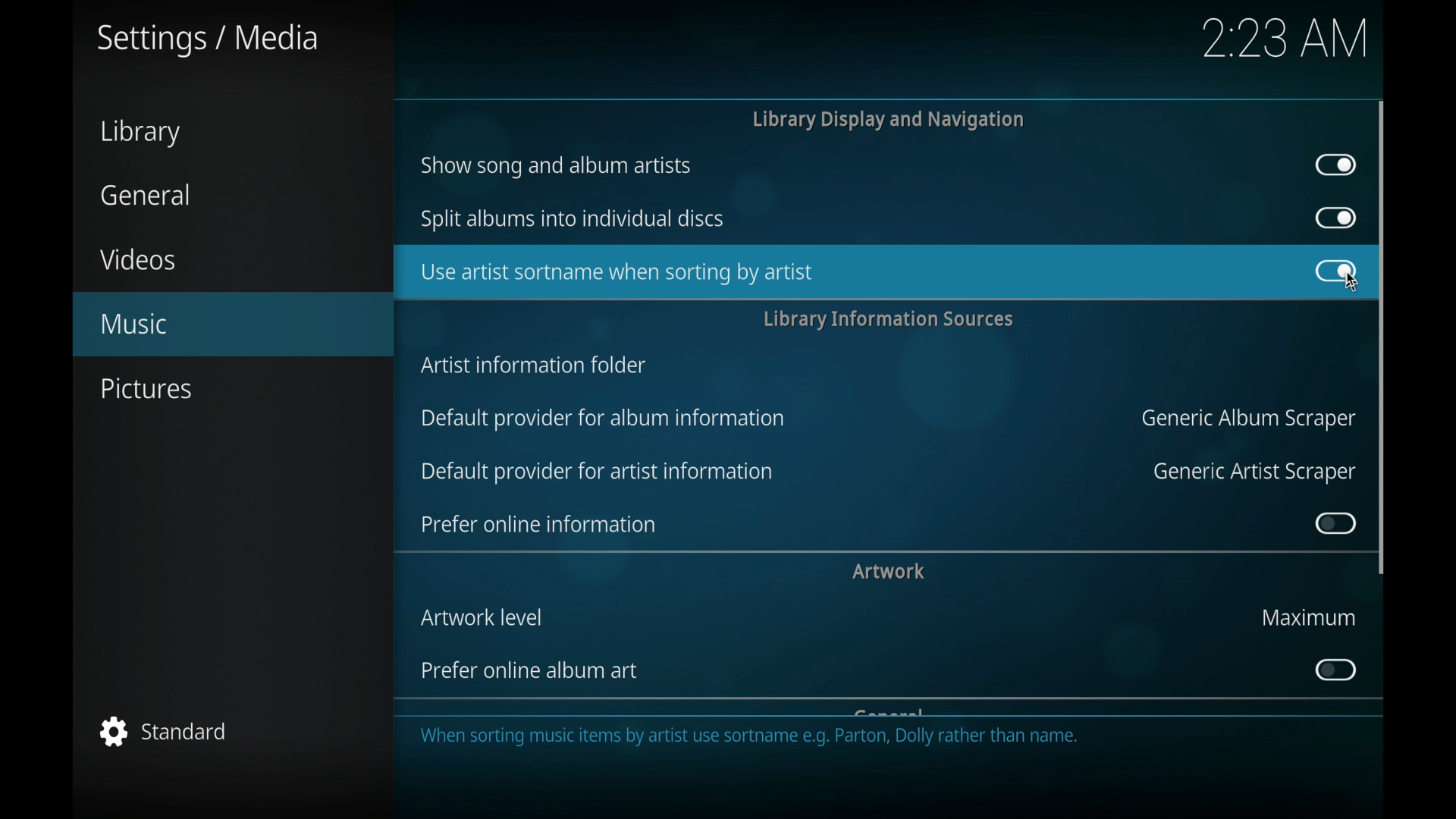 The height and width of the screenshot is (819, 1456). I want to click on use artist sort name when sorting by artist, so click(616, 273).